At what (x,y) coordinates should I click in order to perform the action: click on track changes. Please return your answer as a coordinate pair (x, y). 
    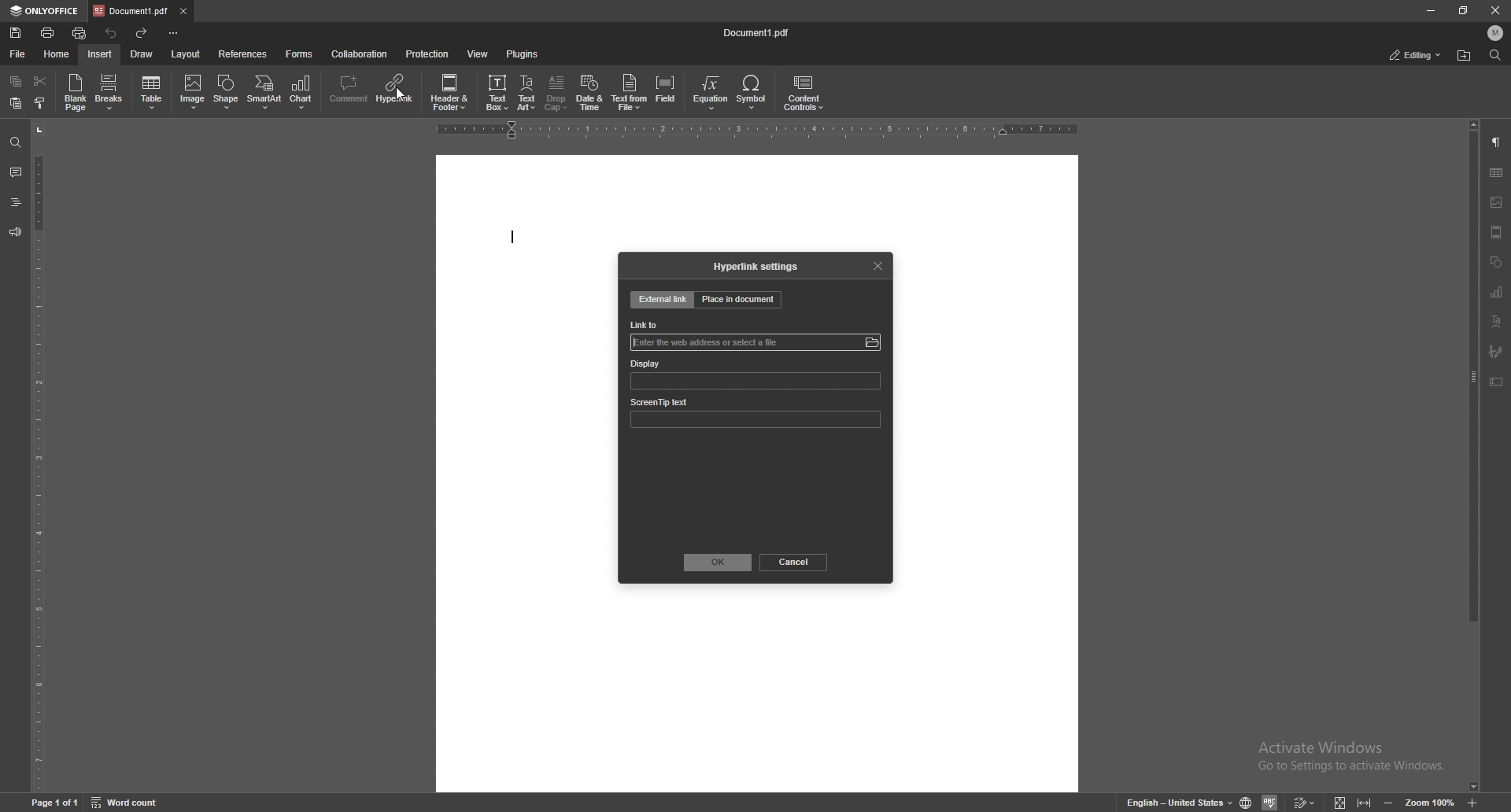
    Looking at the image, I should click on (1306, 802).